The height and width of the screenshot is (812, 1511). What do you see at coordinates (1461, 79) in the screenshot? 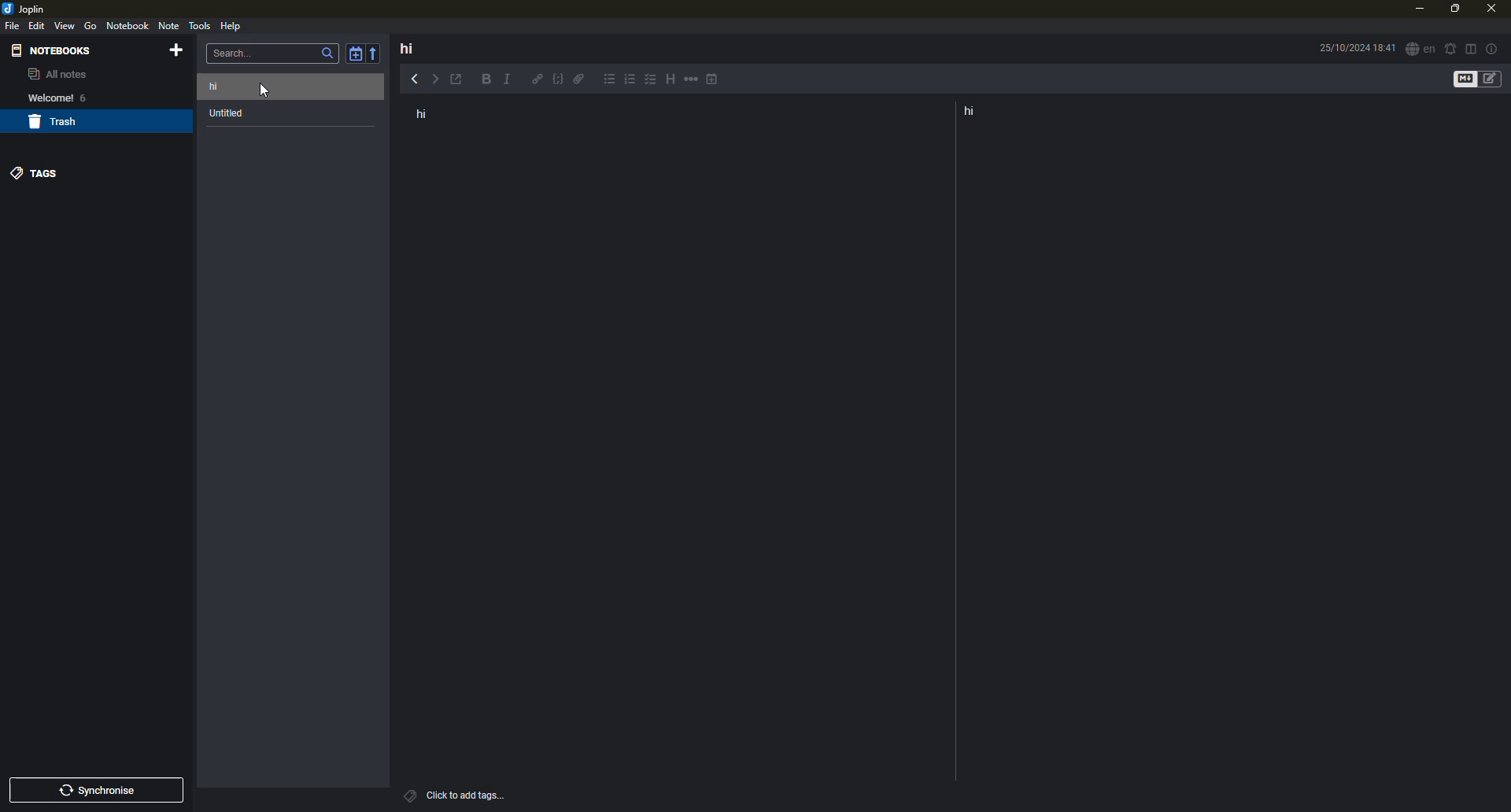
I see `toggle editors` at bounding box center [1461, 79].